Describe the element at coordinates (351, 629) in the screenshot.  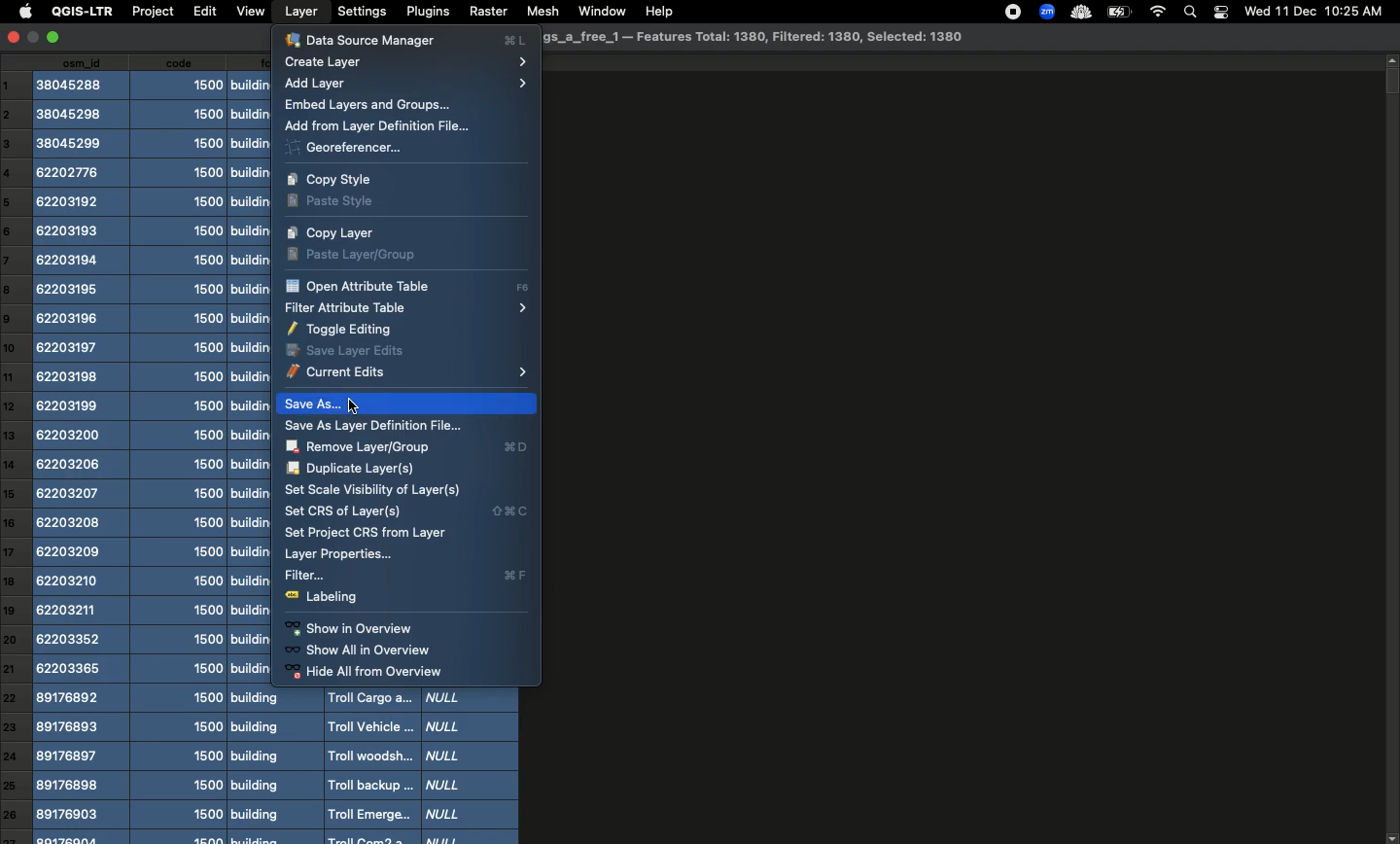
I see `Show in overview` at that location.